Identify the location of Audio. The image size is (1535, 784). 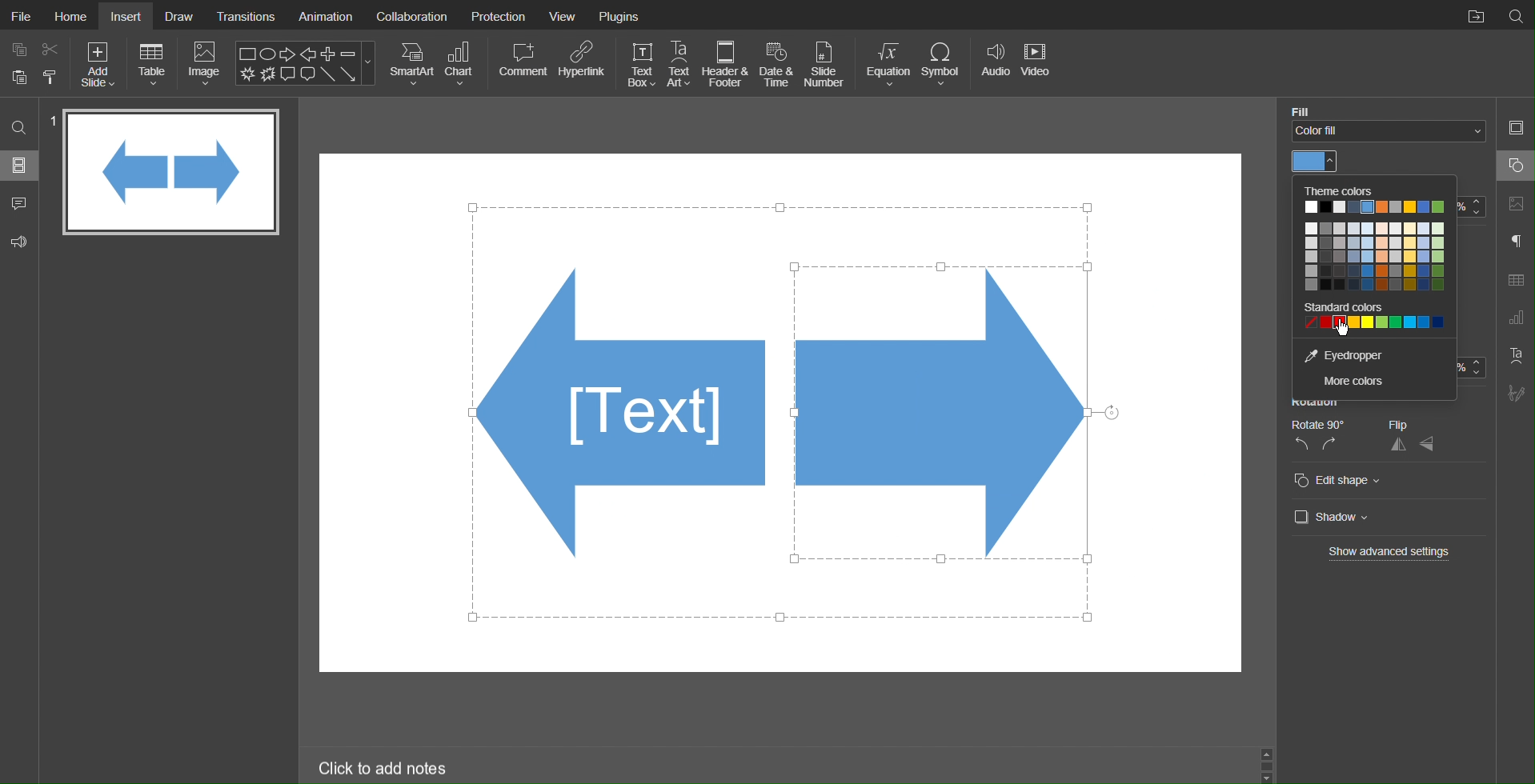
(993, 63).